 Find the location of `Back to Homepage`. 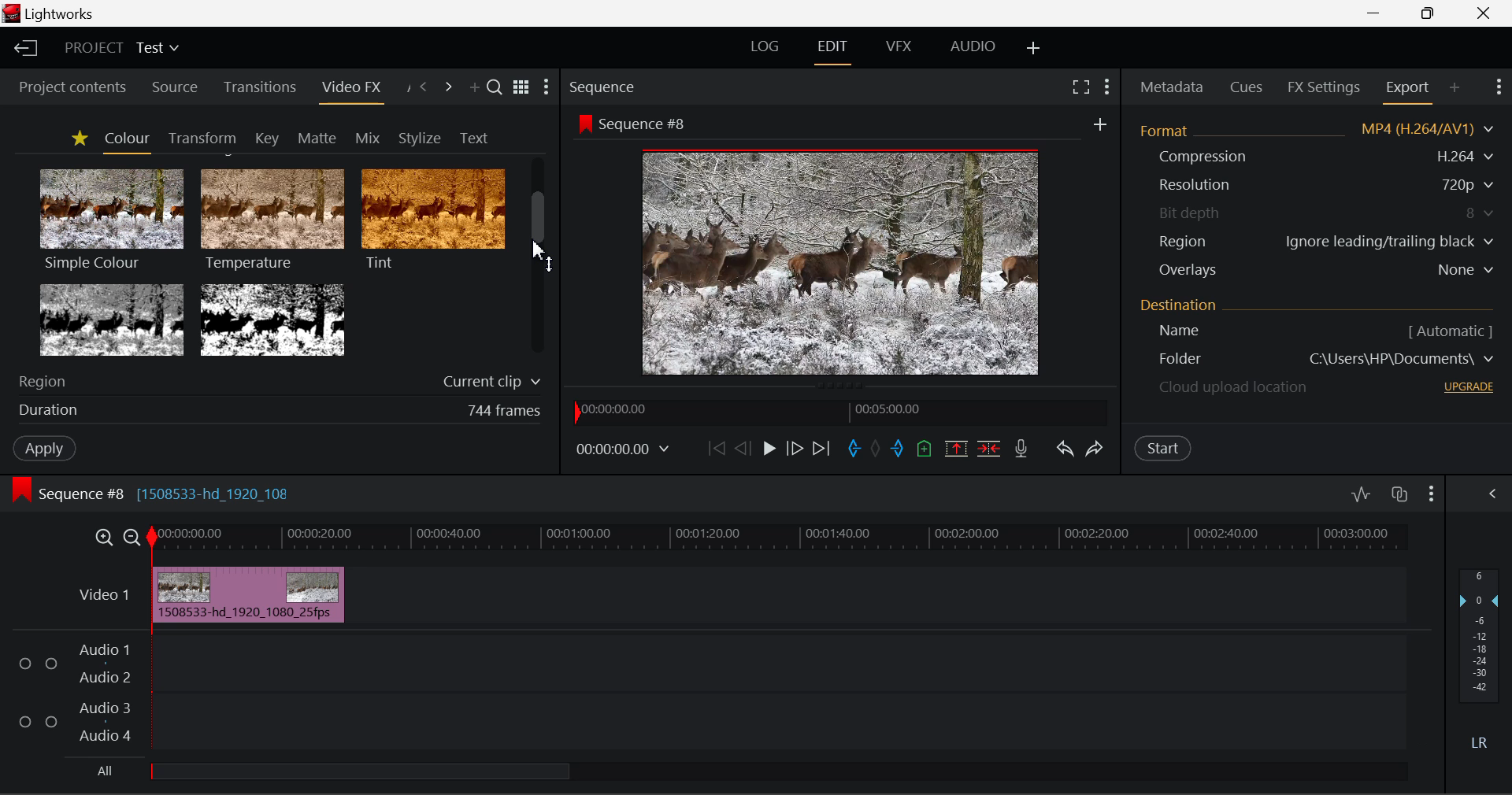

Back to Homepage is located at coordinates (24, 46).